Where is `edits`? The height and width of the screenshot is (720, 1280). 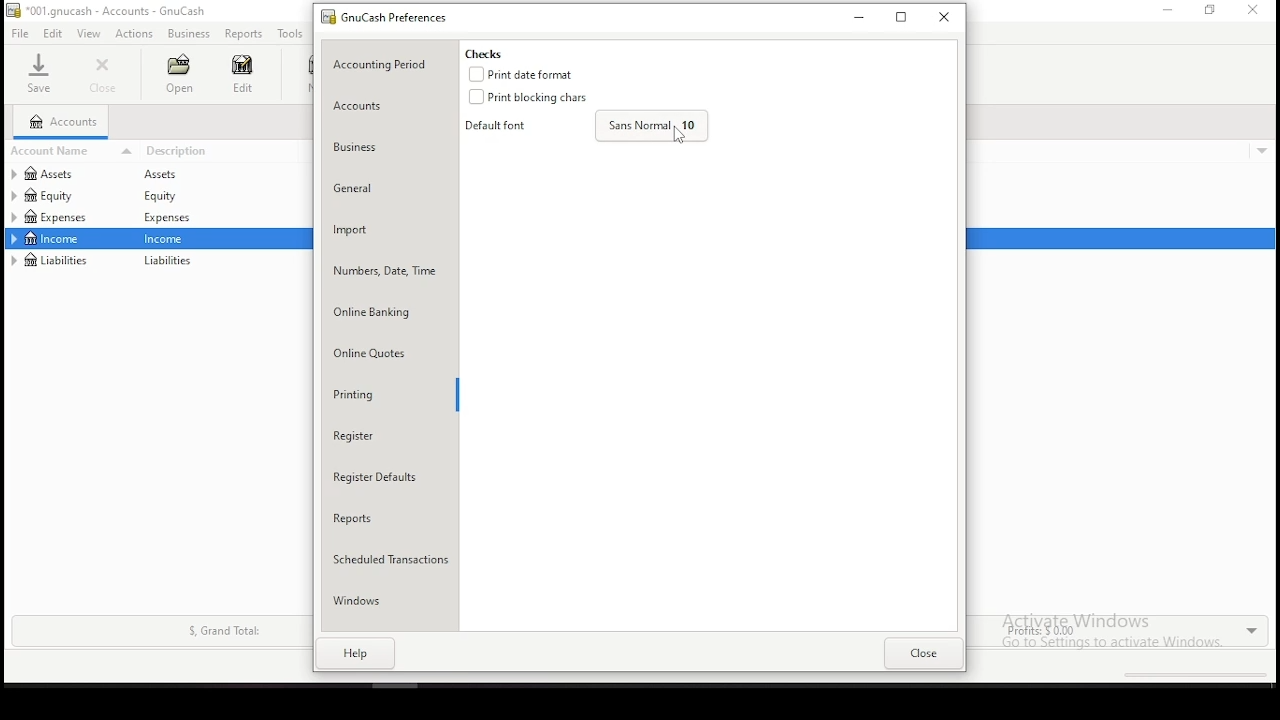 edits is located at coordinates (54, 33).